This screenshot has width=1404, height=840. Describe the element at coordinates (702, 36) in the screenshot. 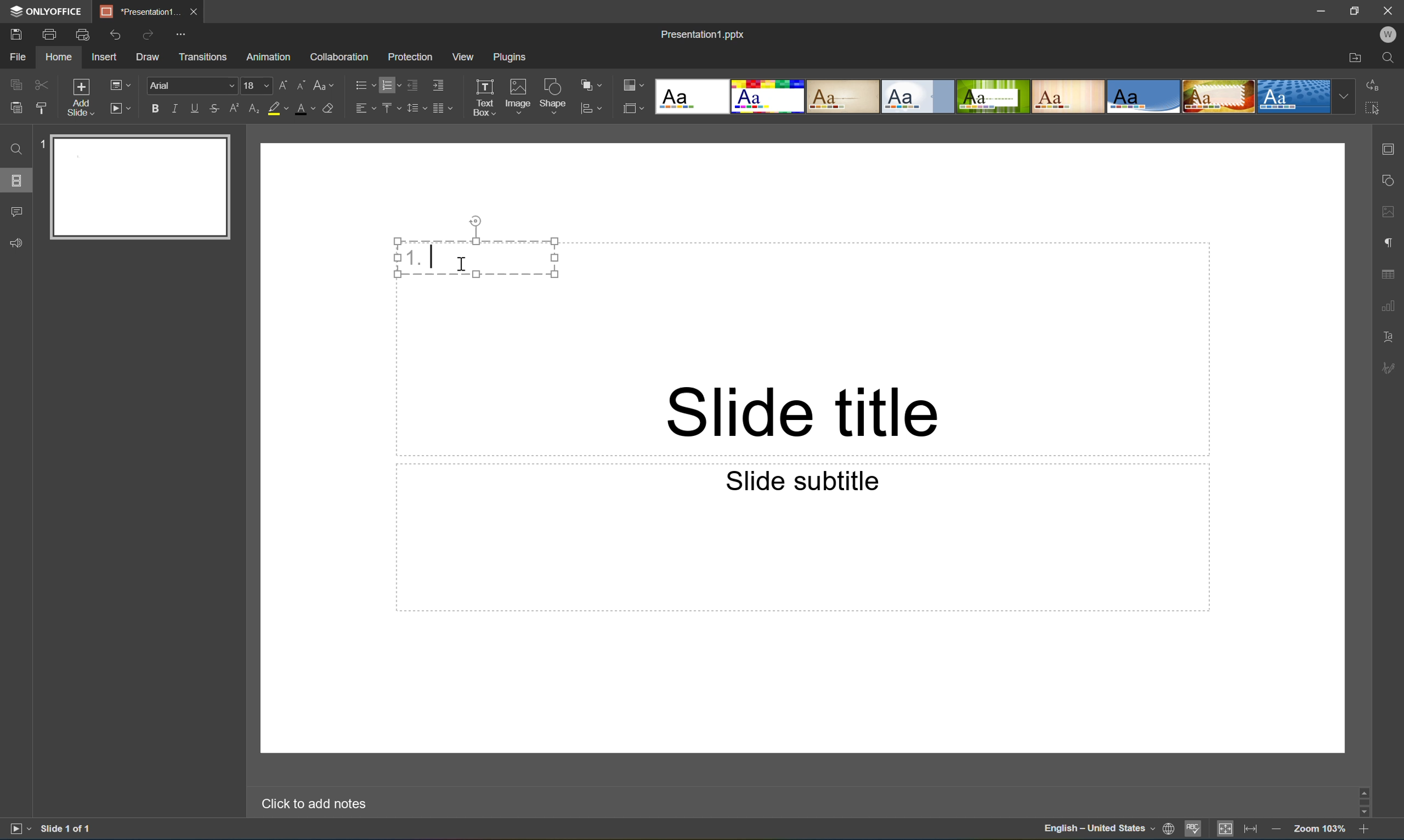

I see `Presentation1.pptx` at that location.